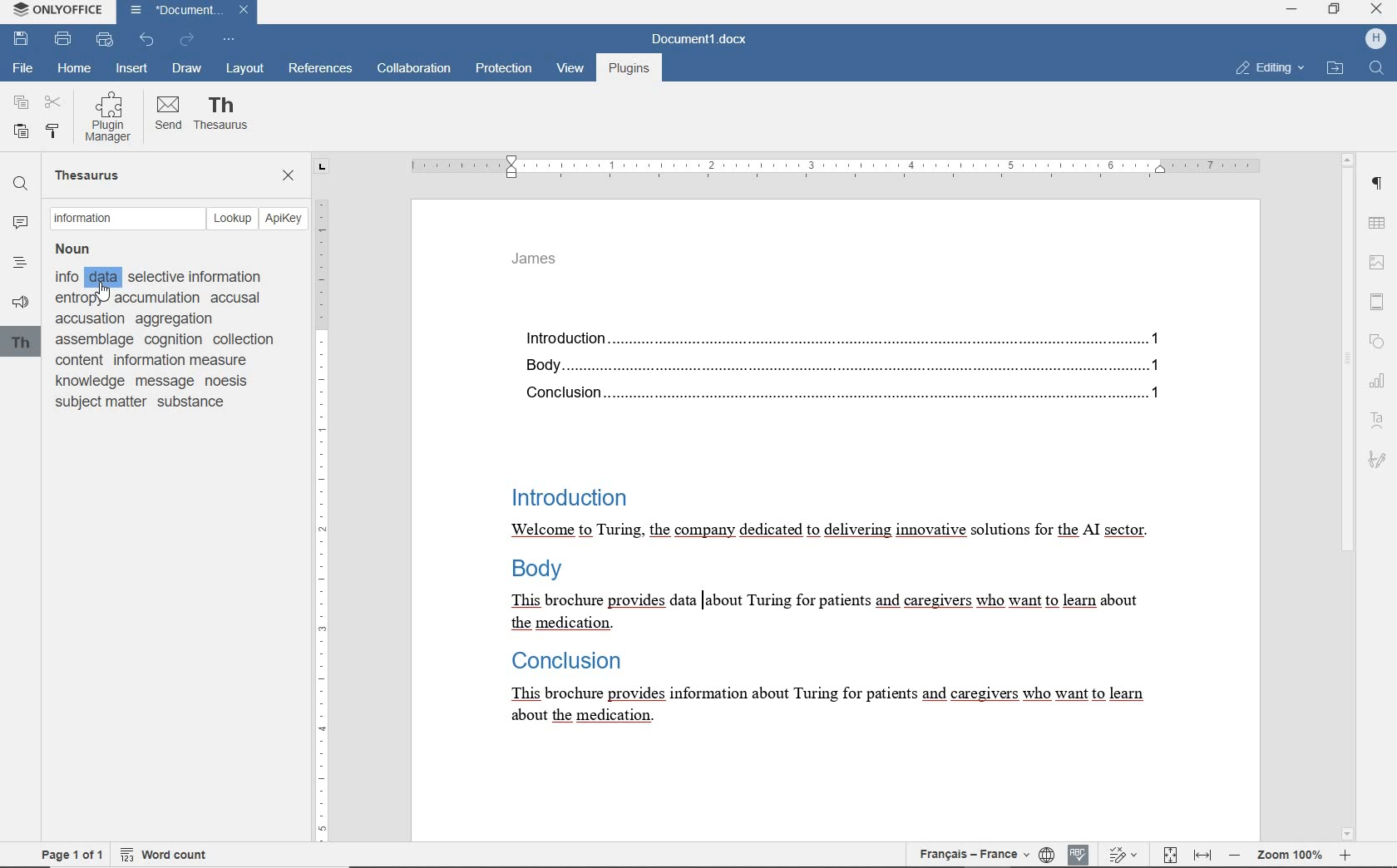 The image size is (1397, 868). What do you see at coordinates (21, 102) in the screenshot?
I see `COPY` at bounding box center [21, 102].